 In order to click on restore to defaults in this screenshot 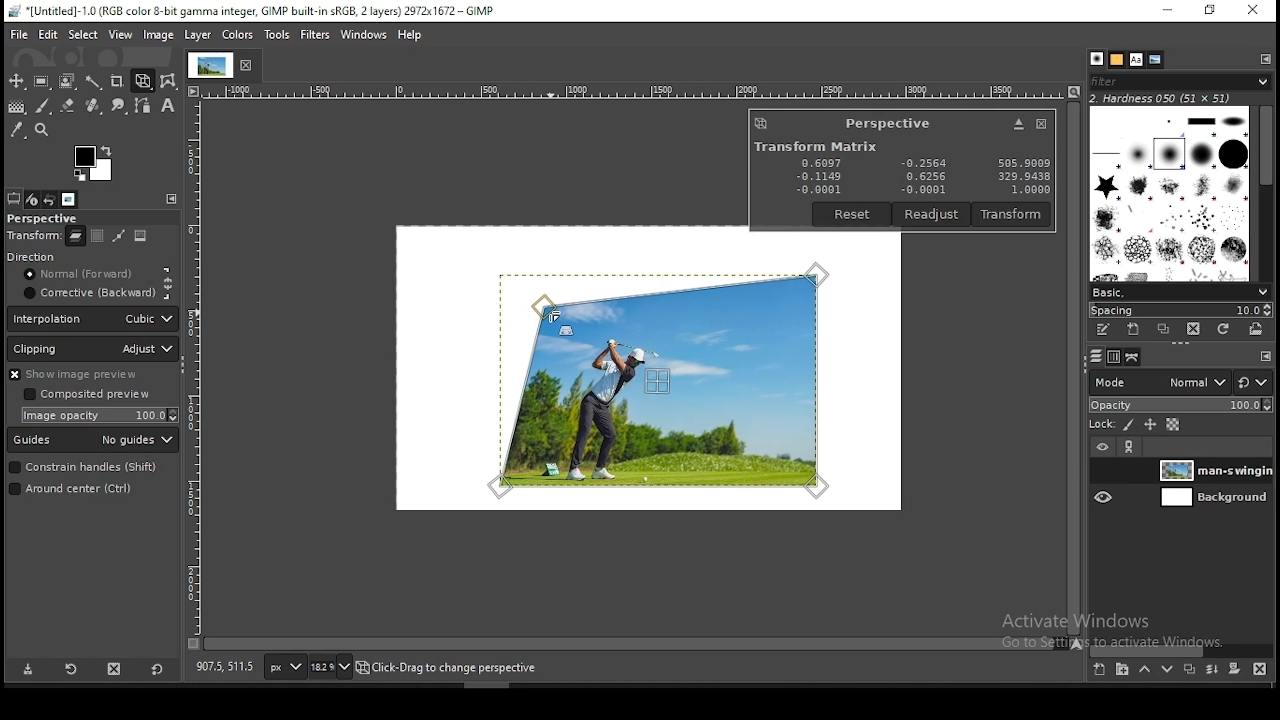, I will do `click(156, 668)`.